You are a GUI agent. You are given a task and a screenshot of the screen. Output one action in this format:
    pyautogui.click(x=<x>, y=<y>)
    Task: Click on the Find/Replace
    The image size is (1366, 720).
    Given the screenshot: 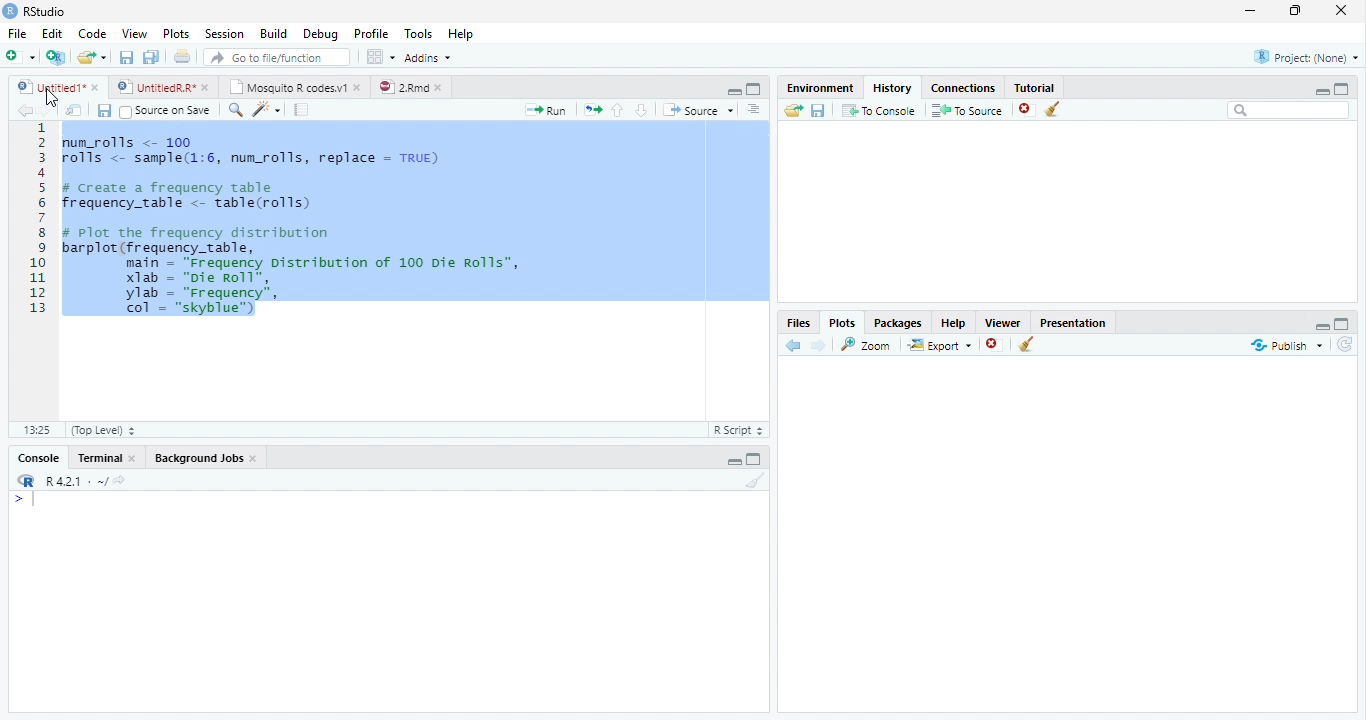 What is the action you would take?
    pyautogui.click(x=233, y=110)
    